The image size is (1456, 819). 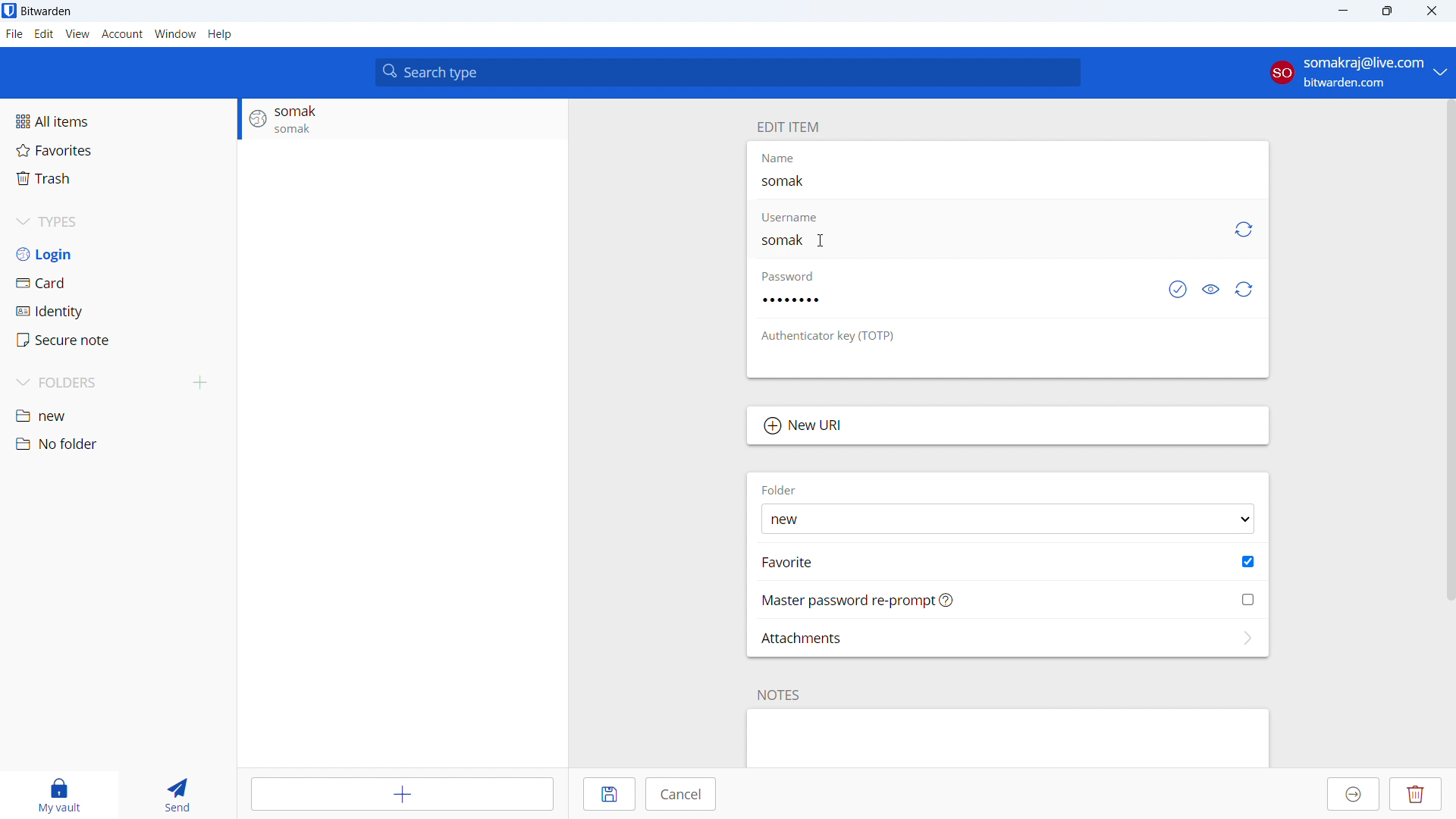 What do you see at coordinates (219, 33) in the screenshot?
I see `help` at bounding box center [219, 33].